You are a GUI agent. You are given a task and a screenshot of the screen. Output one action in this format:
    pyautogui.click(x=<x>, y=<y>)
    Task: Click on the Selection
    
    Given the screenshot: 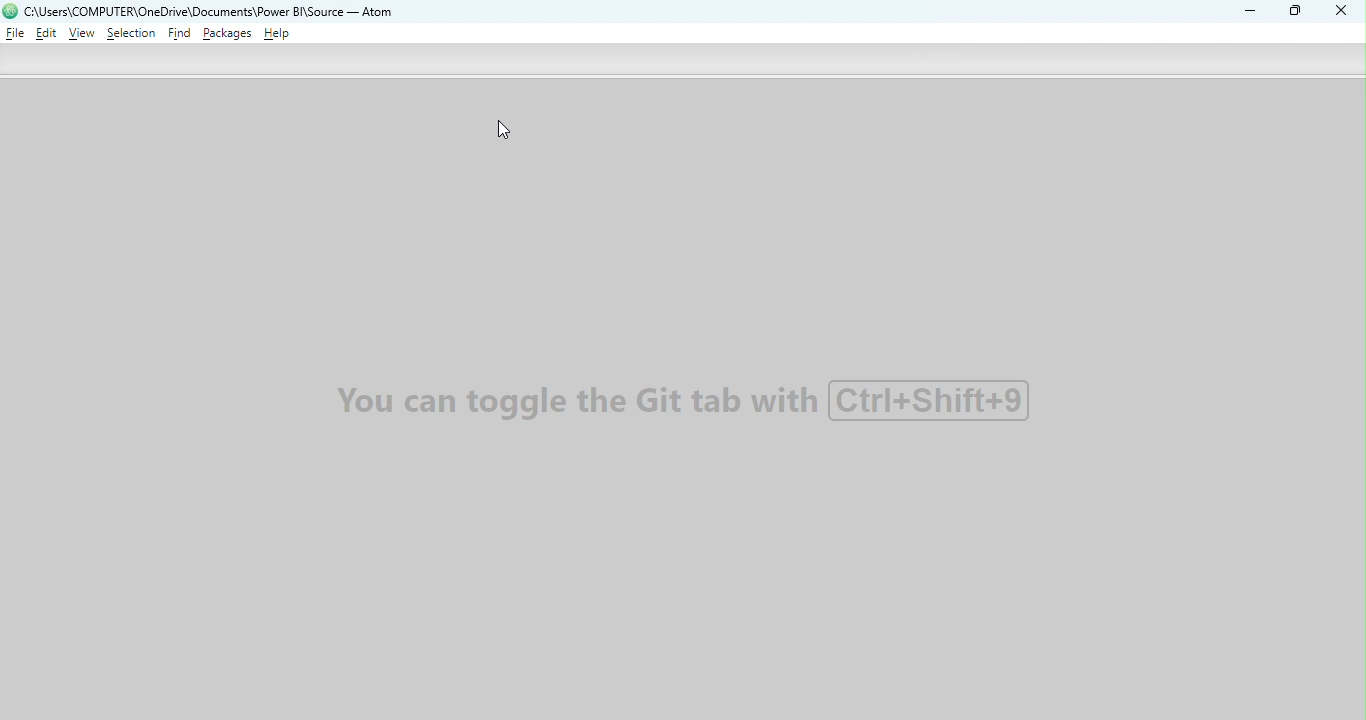 What is the action you would take?
    pyautogui.click(x=131, y=36)
    